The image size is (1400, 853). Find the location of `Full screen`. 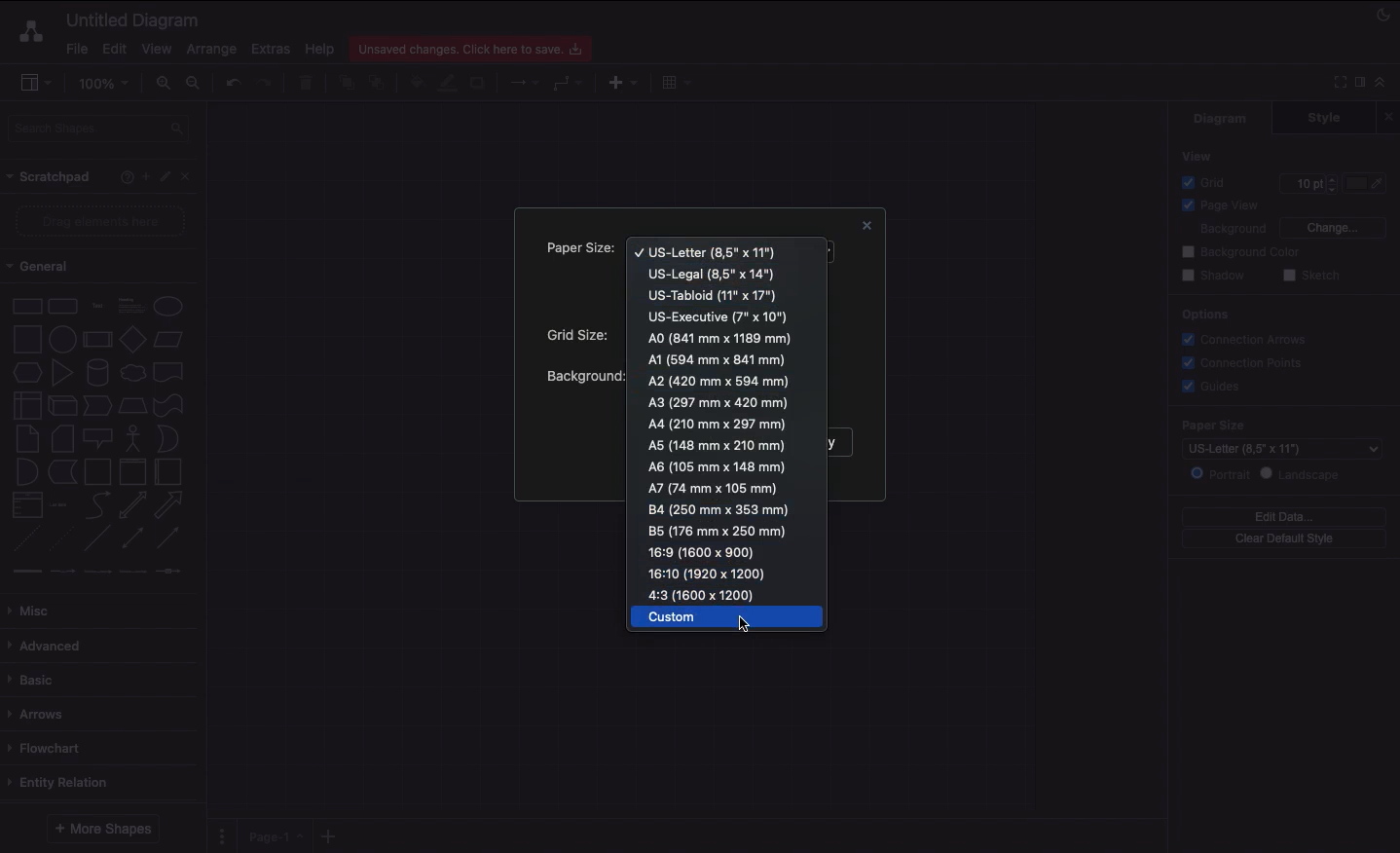

Full screen is located at coordinates (1338, 81).